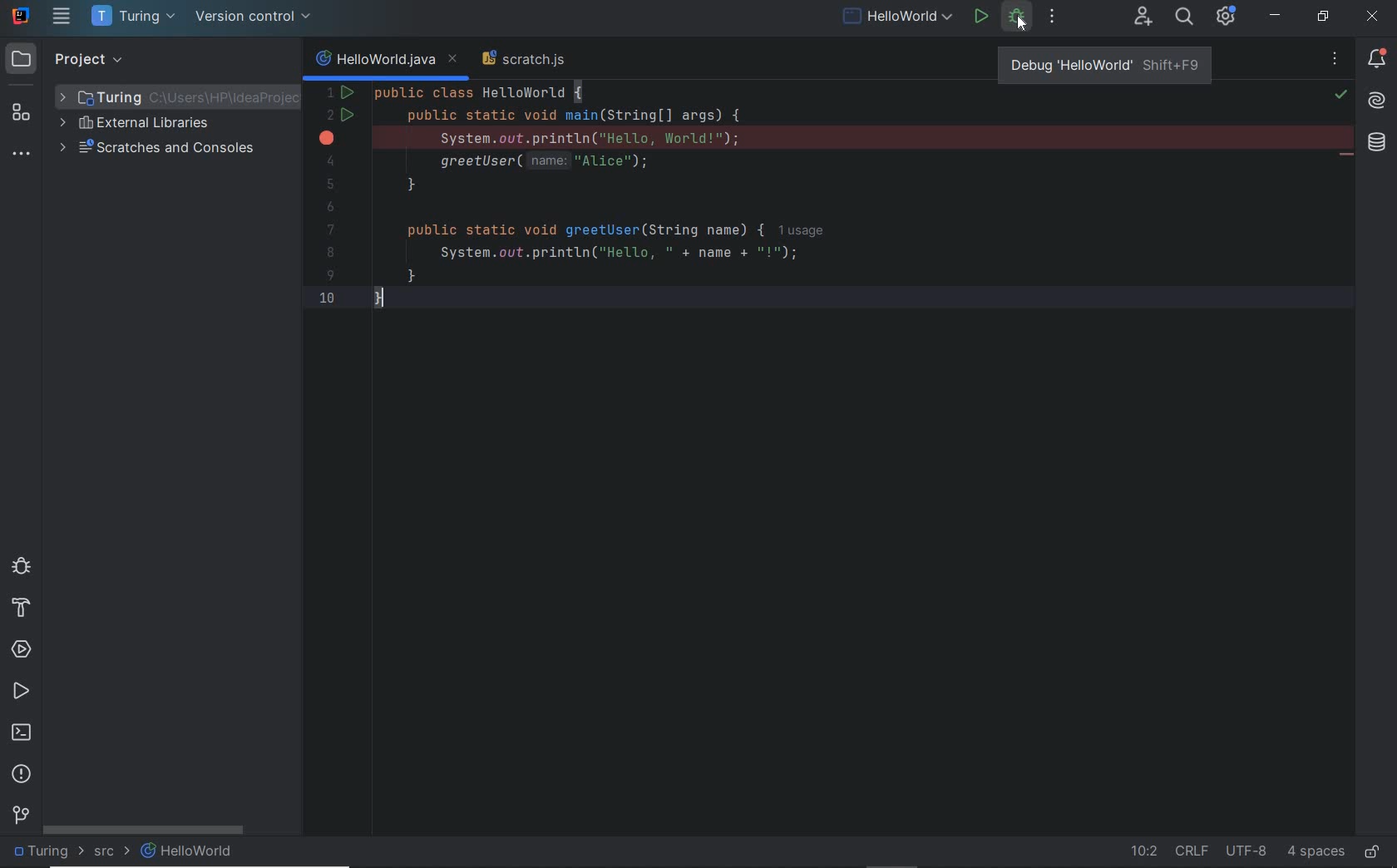 The width and height of the screenshot is (1397, 868). What do you see at coordinates (1336, 62) in the screenshot?
I see `recent files, tab actions` at bounding box center [1336, 62].